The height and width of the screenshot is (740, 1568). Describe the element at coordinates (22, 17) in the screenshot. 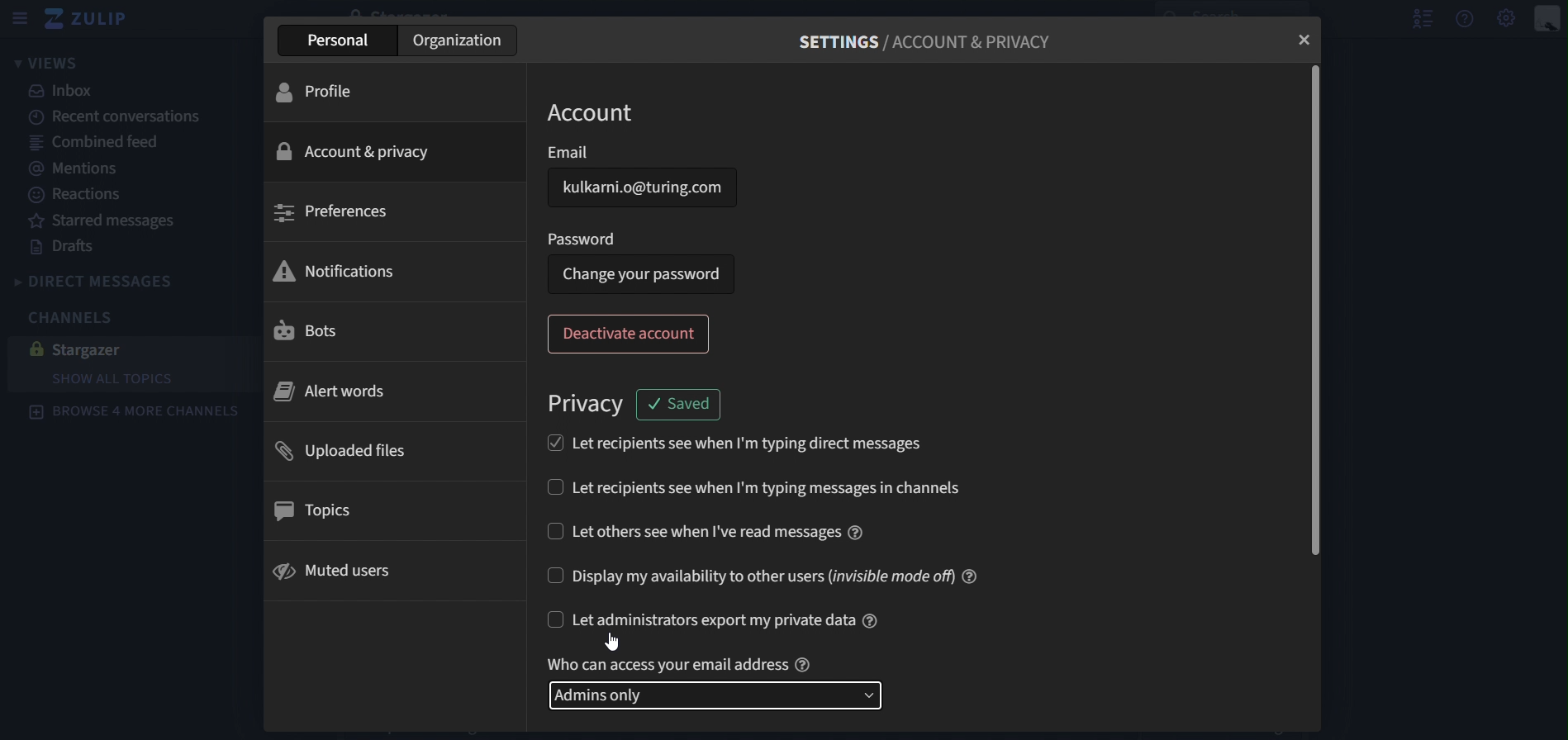

I see `sidebar` at that location.